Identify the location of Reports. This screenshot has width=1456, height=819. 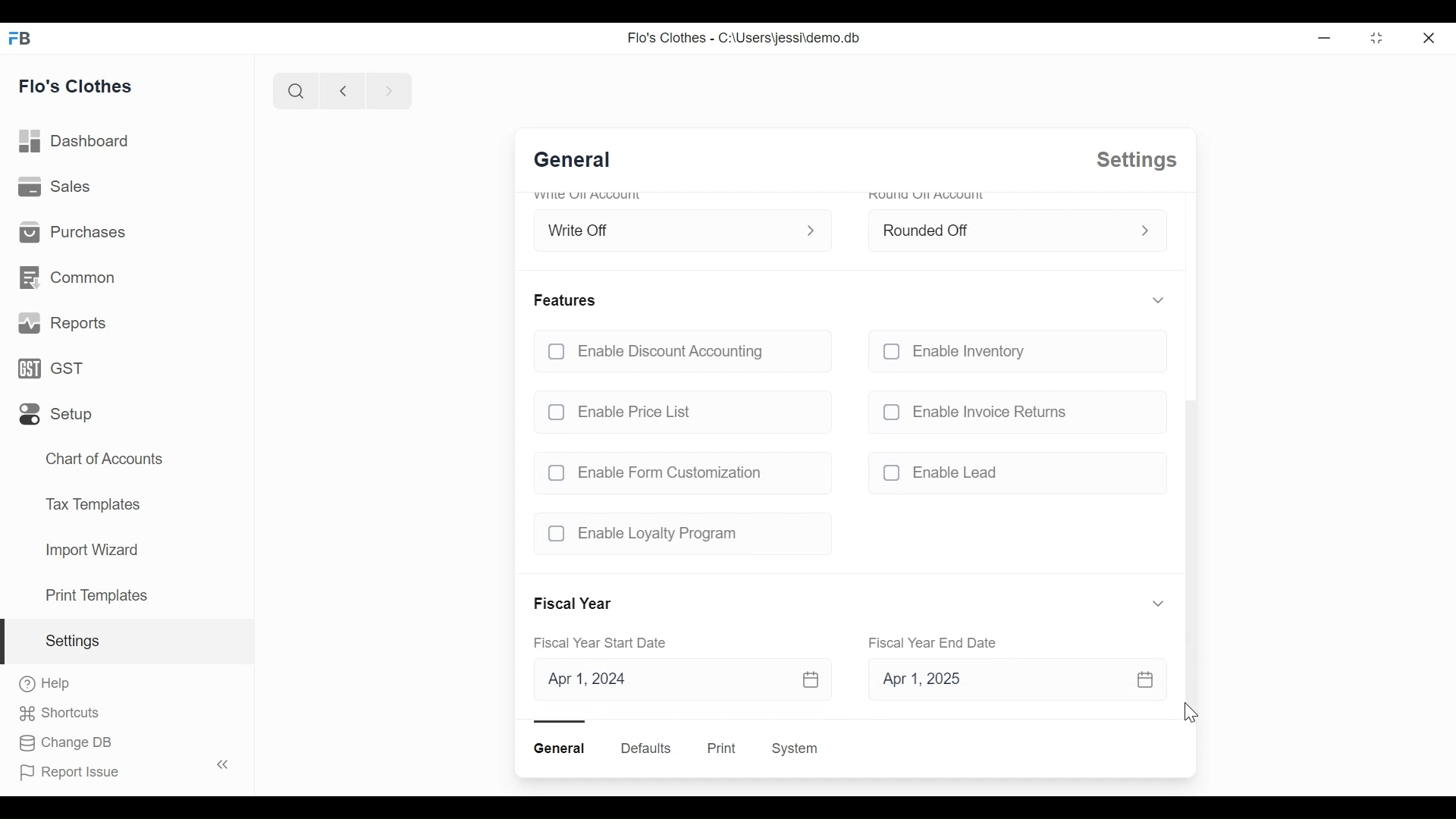
(61, 323).